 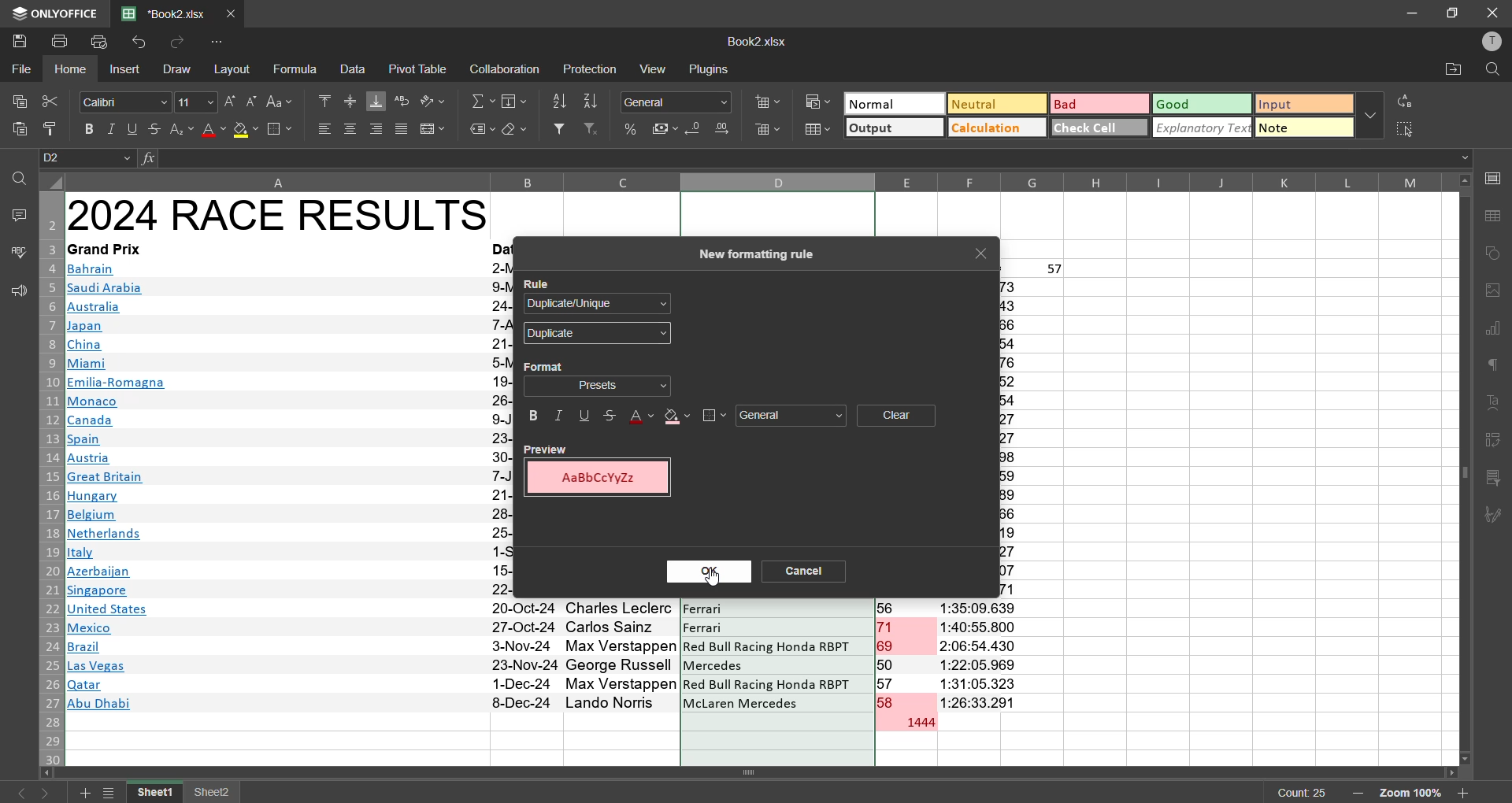 What do you see at coordinates (432, 101) in the screenshot?
I see `orientation` at bounding box center [432, 101].